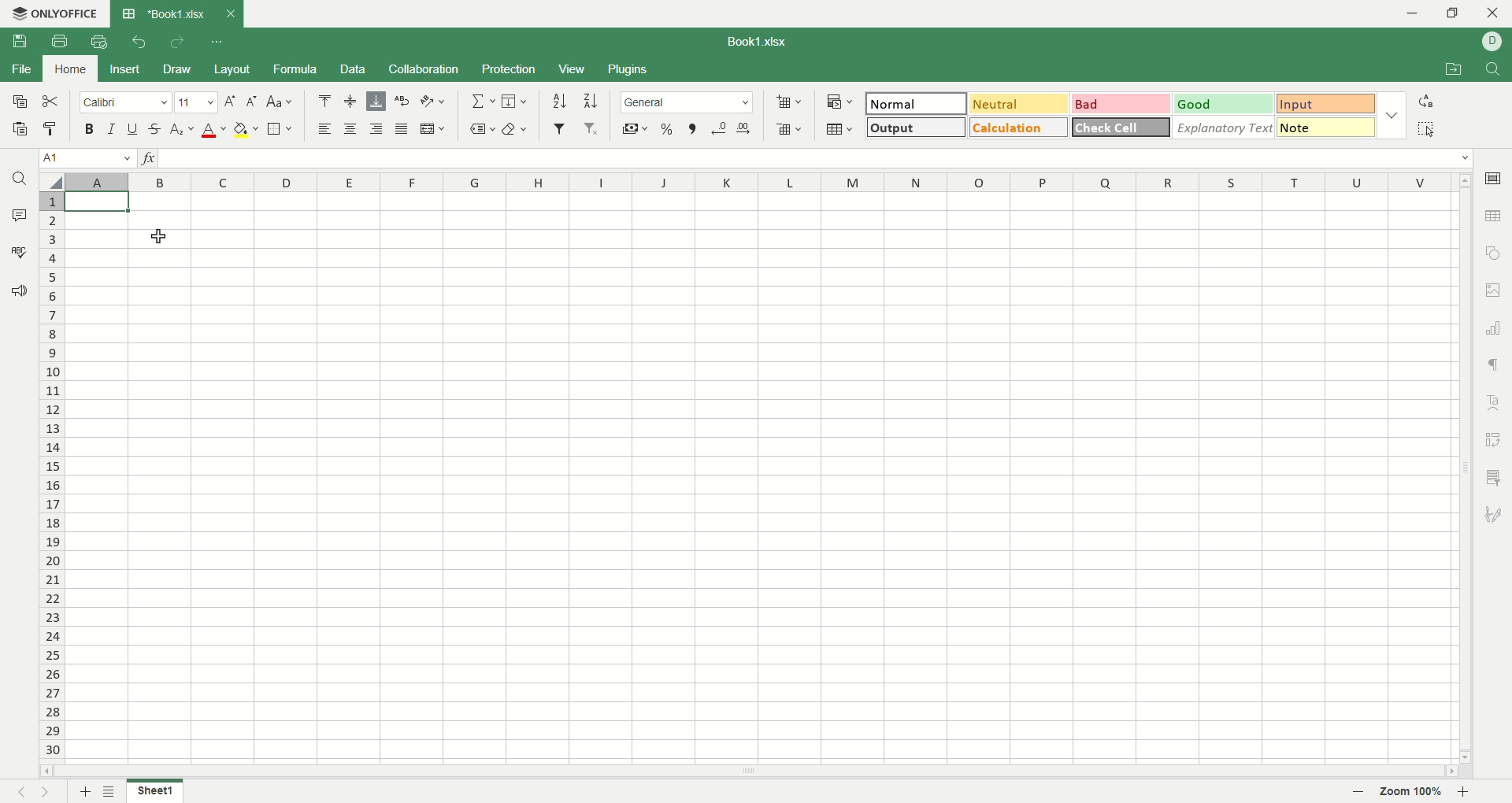 This screenshot has height=803, width=1512. Describe the element at coordinates (561, 128) in the screenshot. I see `filter` at that location.